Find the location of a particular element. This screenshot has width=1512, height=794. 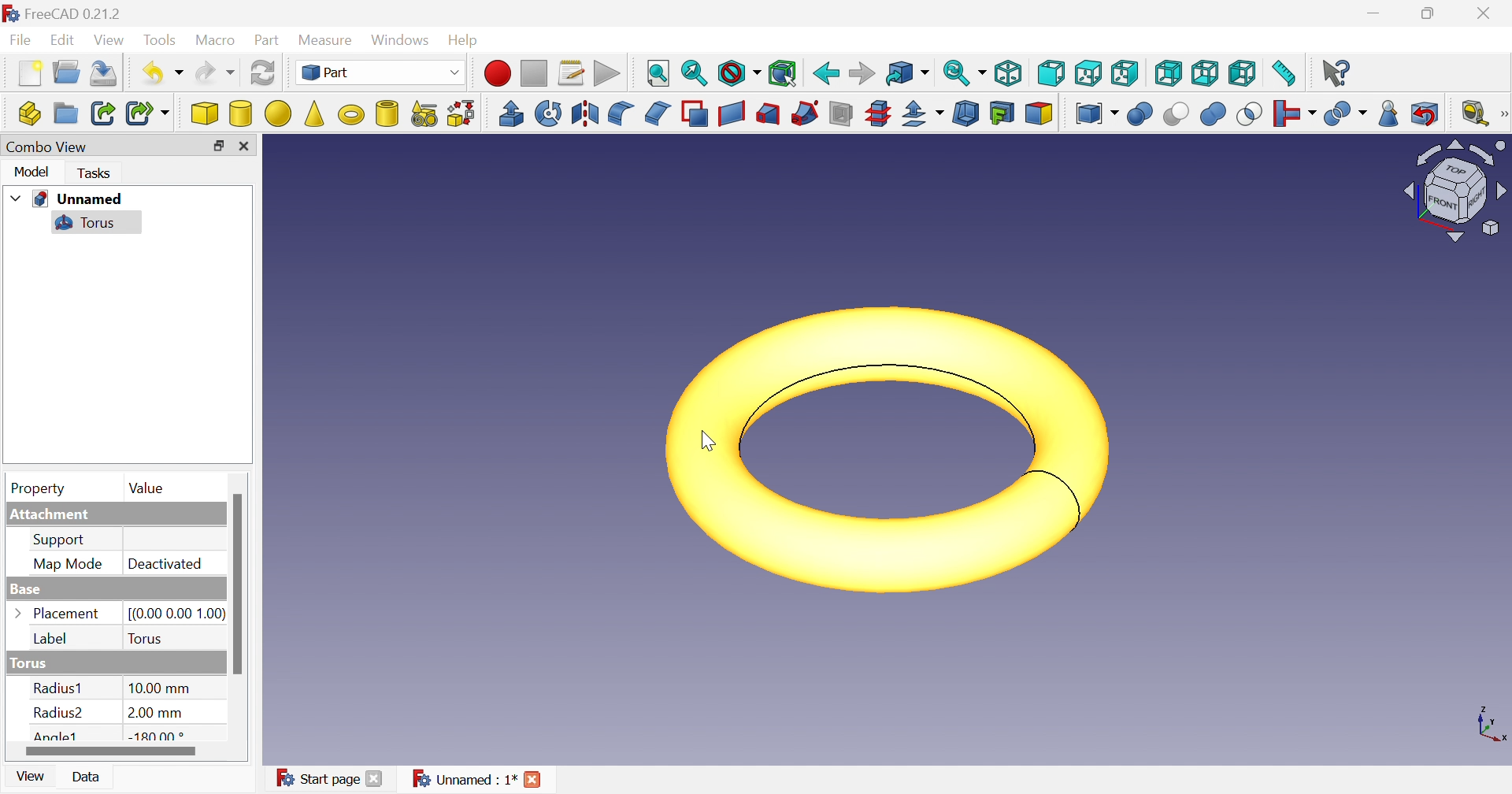

Mirroring is located at coordinates (584, 113).